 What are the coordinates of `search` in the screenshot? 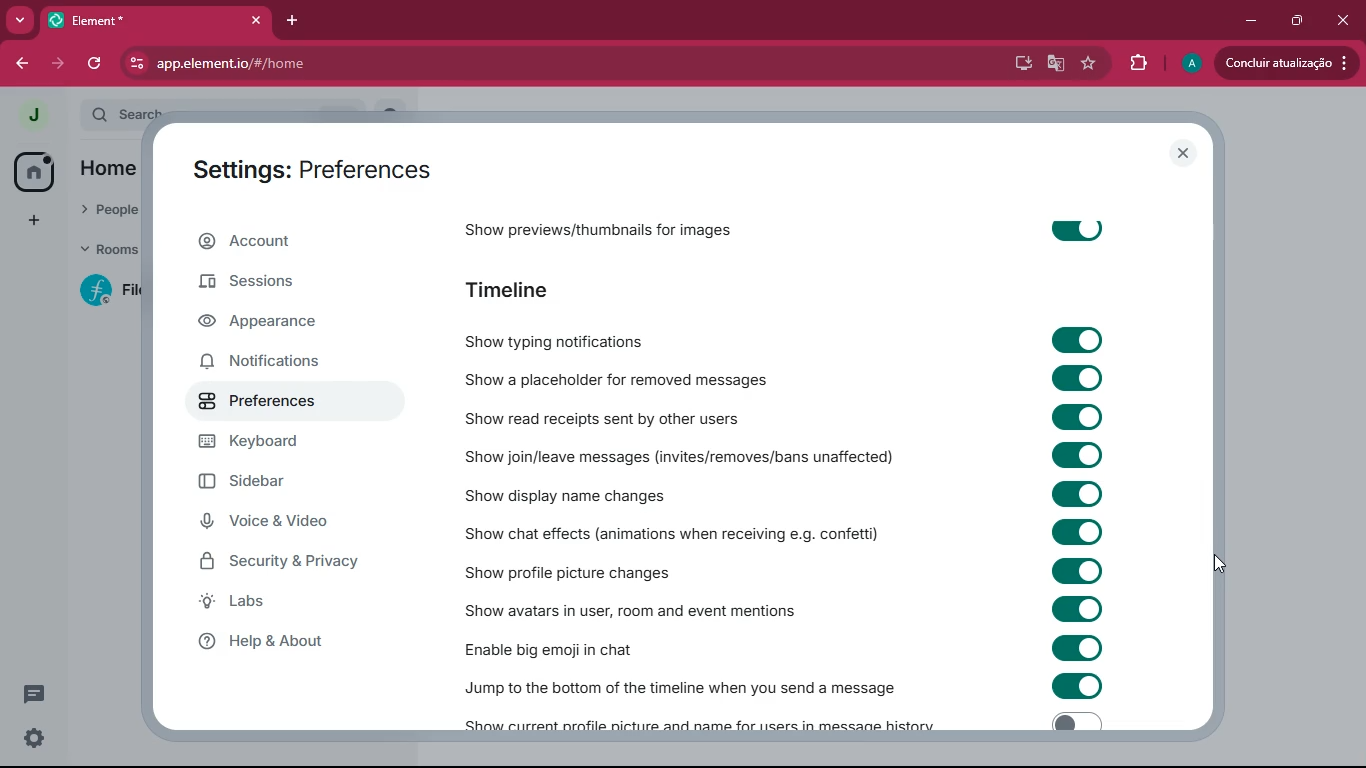 It's located at (130, 111).